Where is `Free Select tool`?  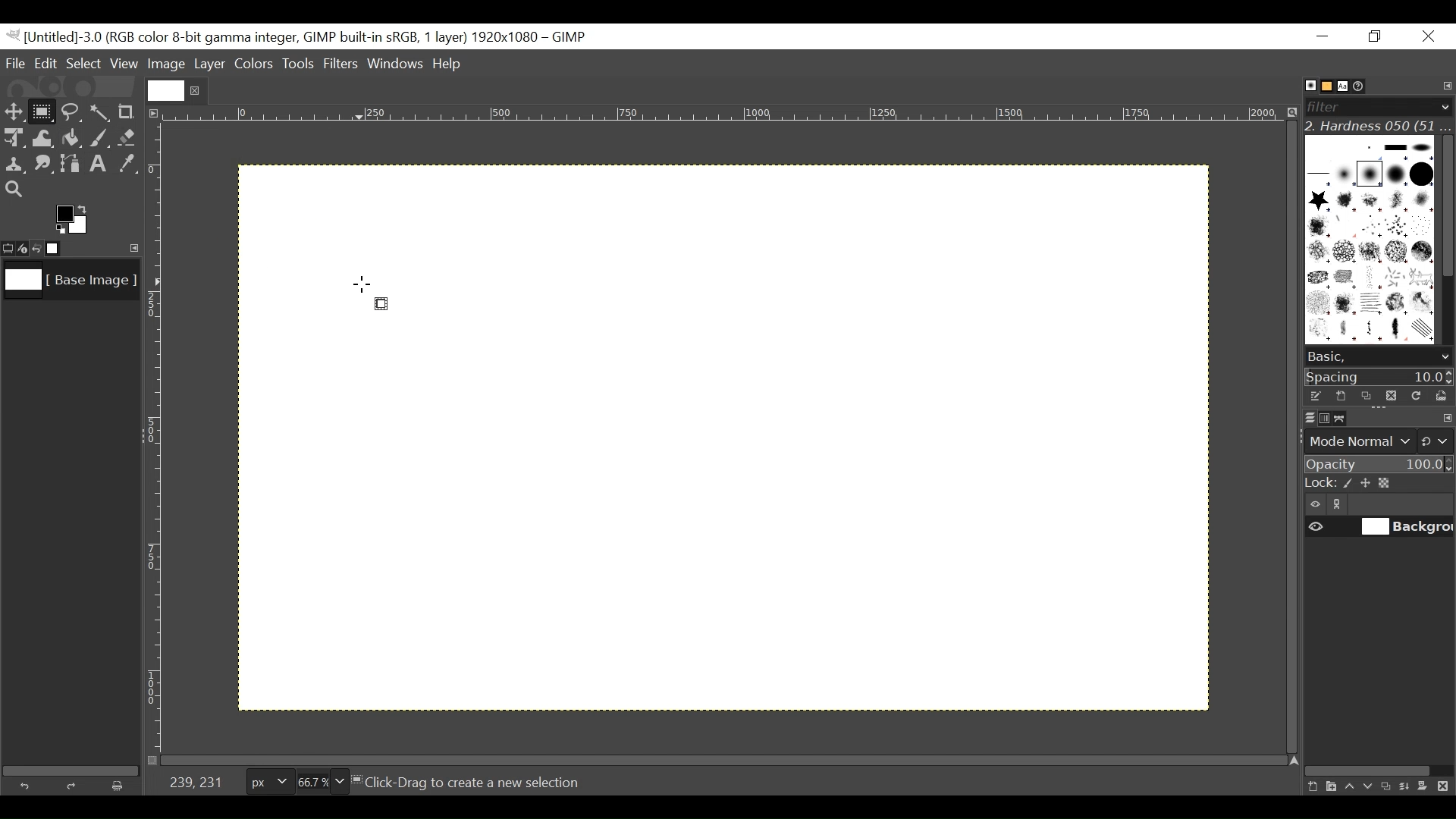
Free Select tool is located at coordinates (70, 109).